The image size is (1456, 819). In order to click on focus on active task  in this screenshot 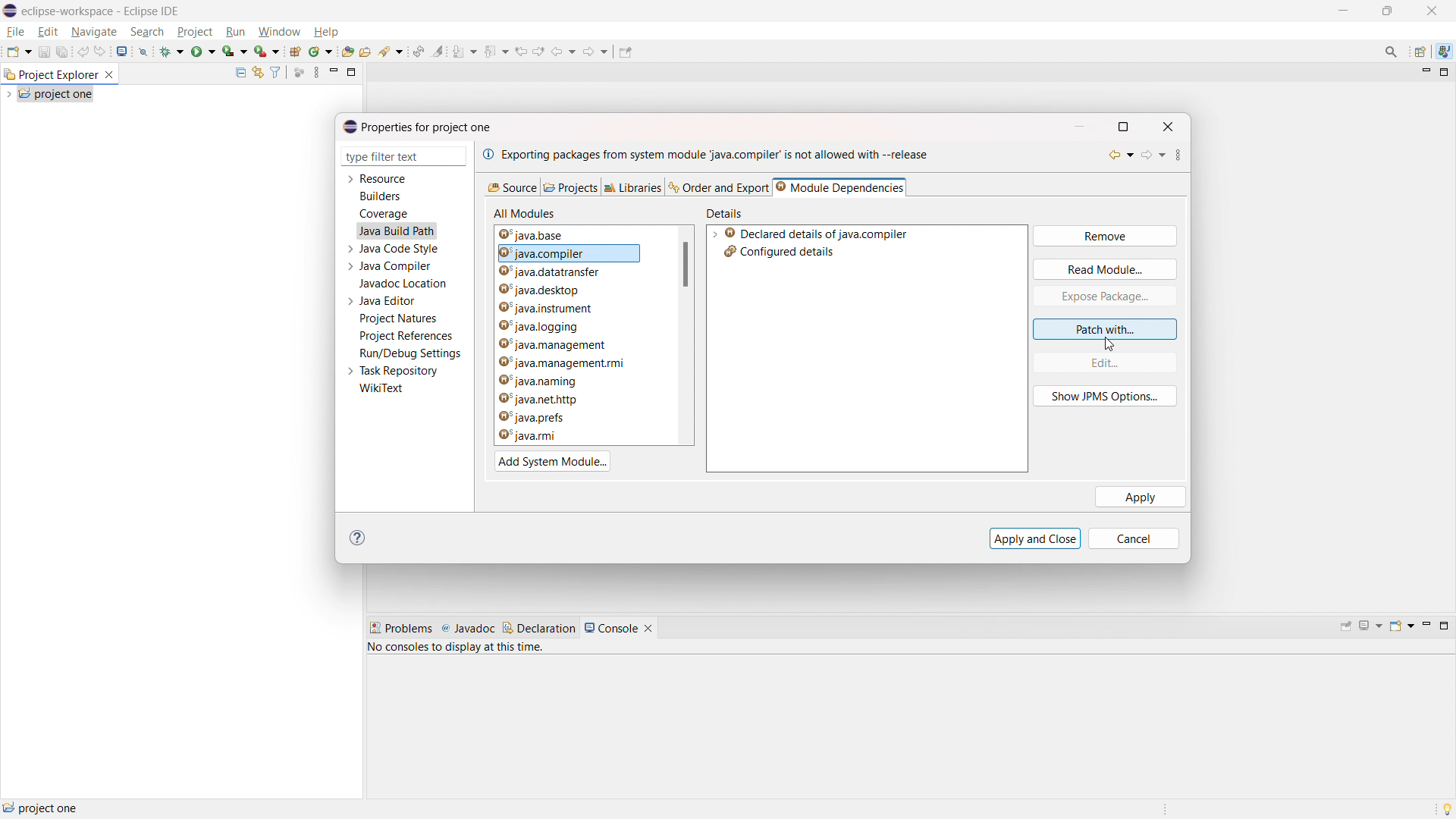, I will do `click(300, 73)`.